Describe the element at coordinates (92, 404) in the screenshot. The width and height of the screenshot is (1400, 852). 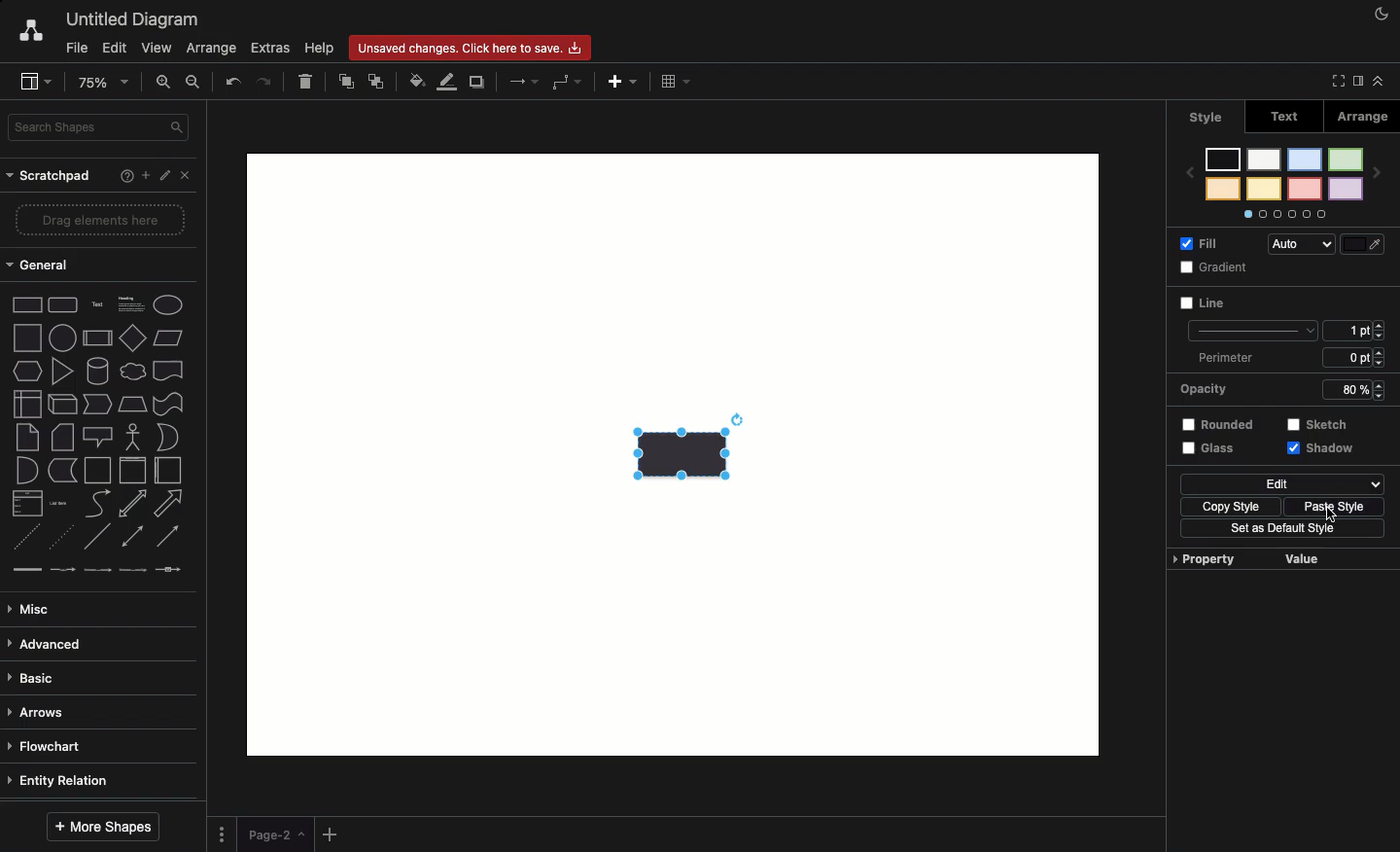
I see `step` at that location.